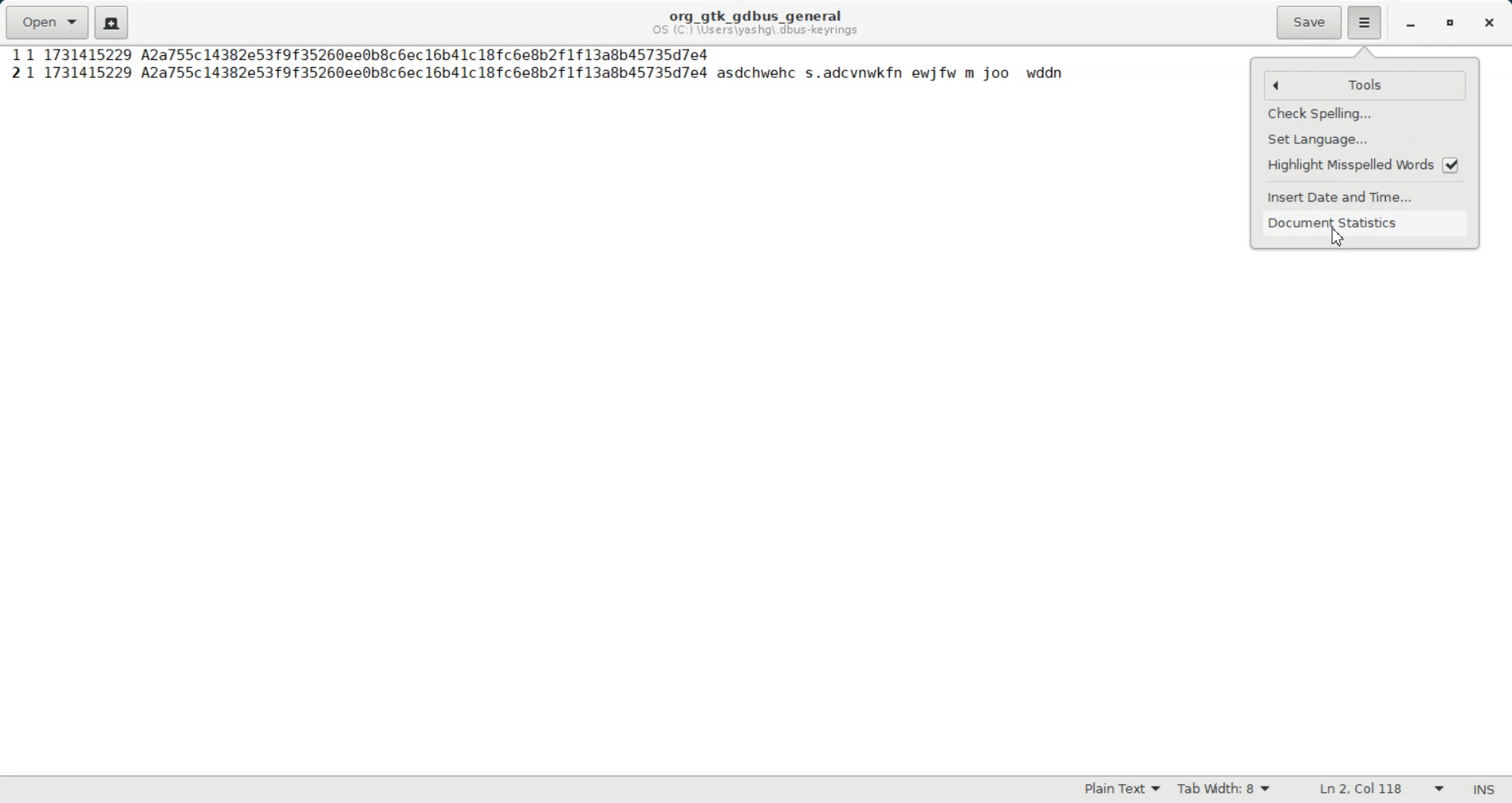  I want to click on Close, so click(1490, 23).